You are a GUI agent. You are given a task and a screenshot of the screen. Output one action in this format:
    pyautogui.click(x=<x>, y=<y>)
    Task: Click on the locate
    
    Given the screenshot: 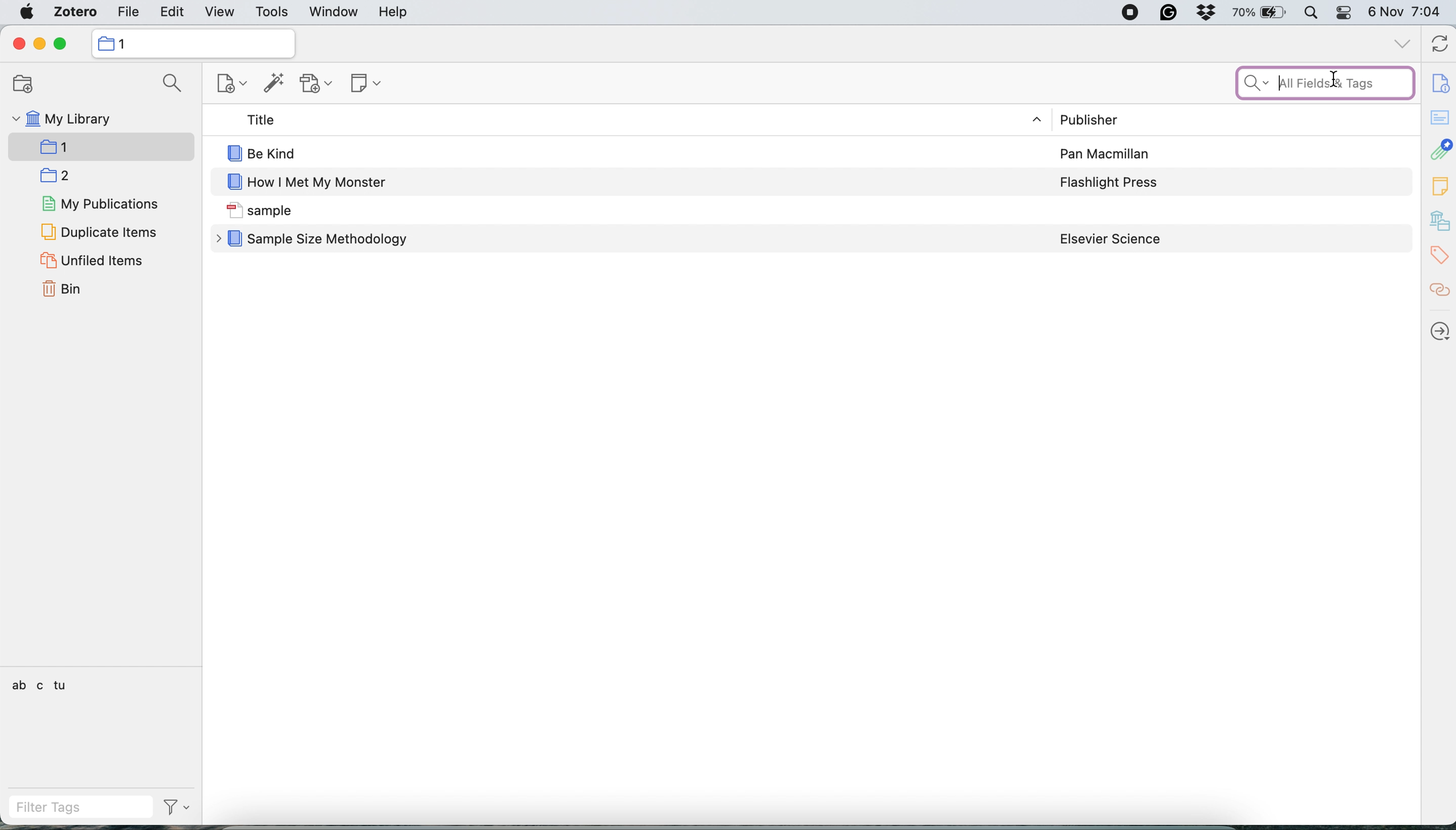 What is the action you would take?
    pyautogui.click(x=1439, y=333)
    